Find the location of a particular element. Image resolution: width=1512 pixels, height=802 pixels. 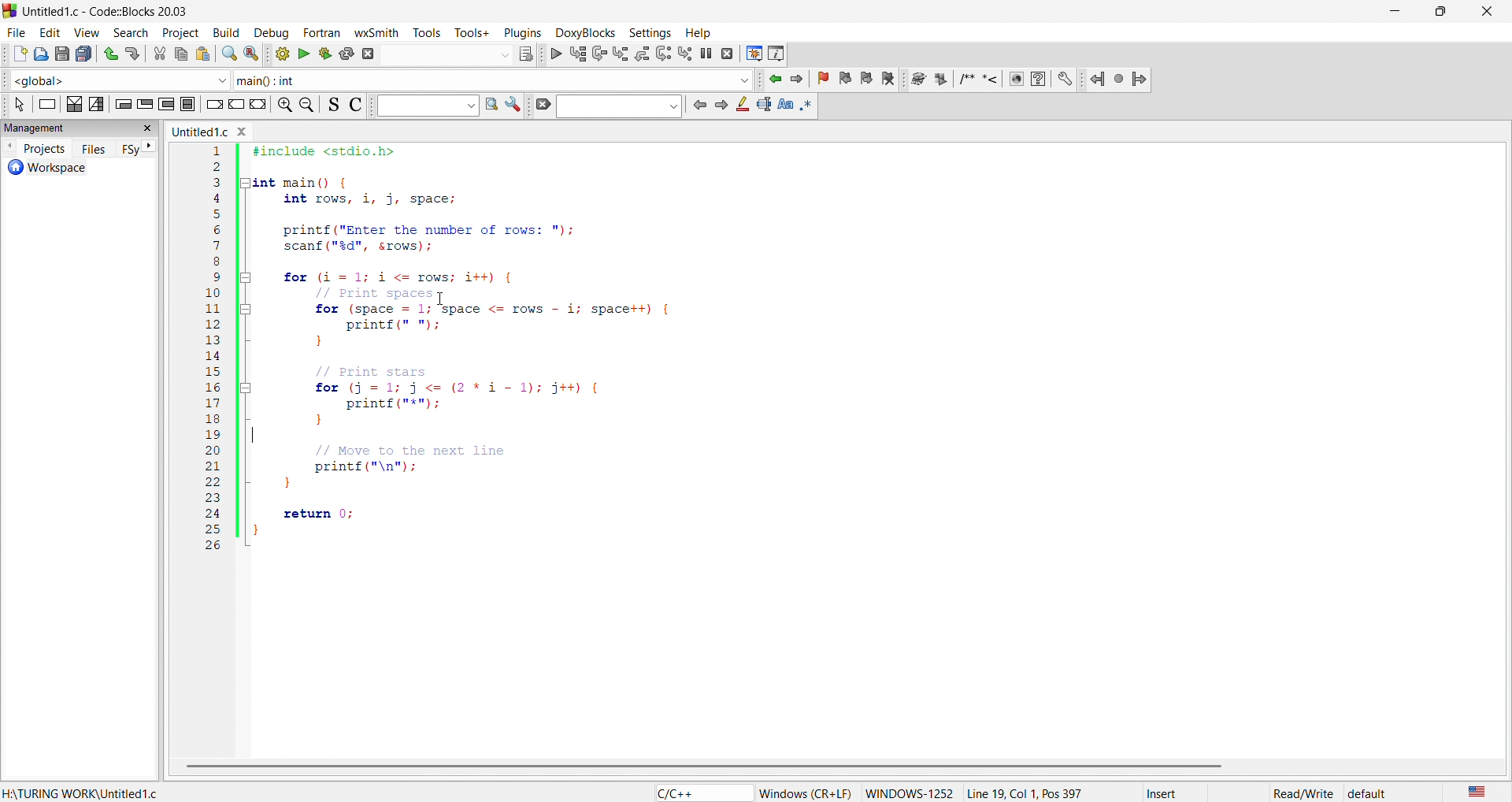

show selected target dialog is located at coordinates (524, 53).